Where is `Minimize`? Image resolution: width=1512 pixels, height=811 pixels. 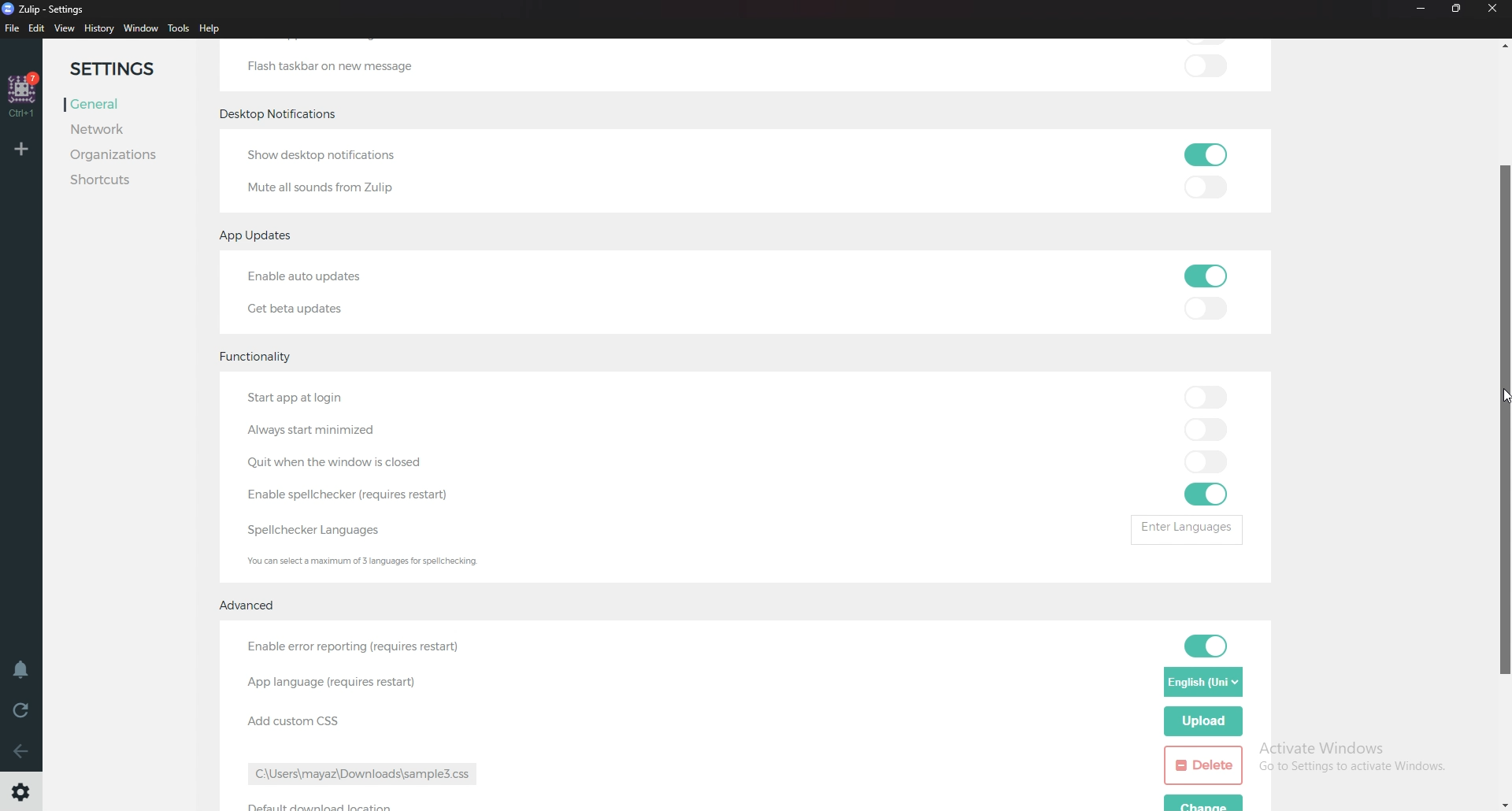 Minimize is located at coordinates (1422, 9).